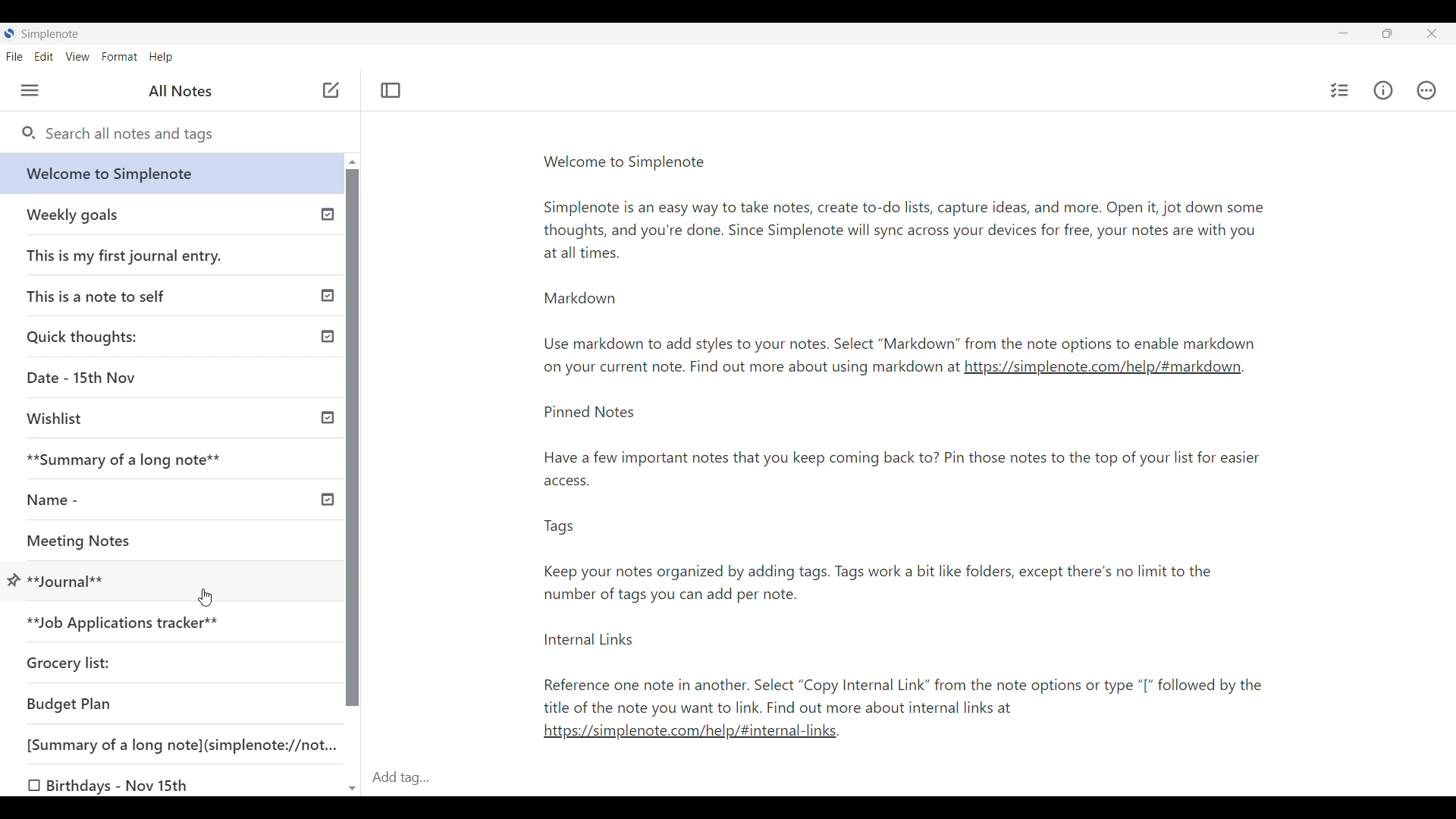  What do you see at coordinates (1431, 33) in the screenshot?
I see `Close interface` at bounding box center [1431, 33].